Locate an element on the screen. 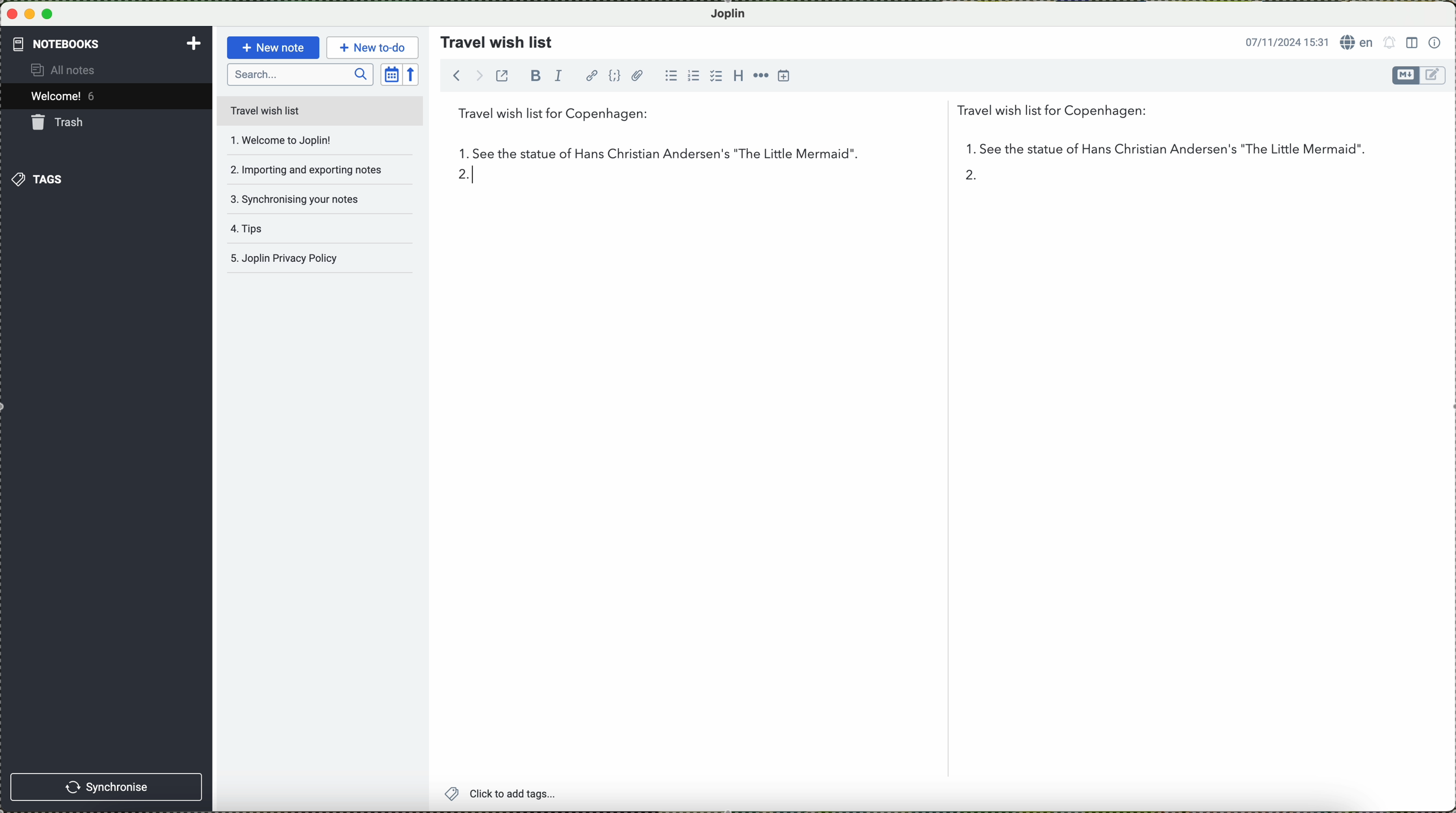 The width and height of the screenshot is (1456, 813). date and hour is located at coordinates (1283, 41).